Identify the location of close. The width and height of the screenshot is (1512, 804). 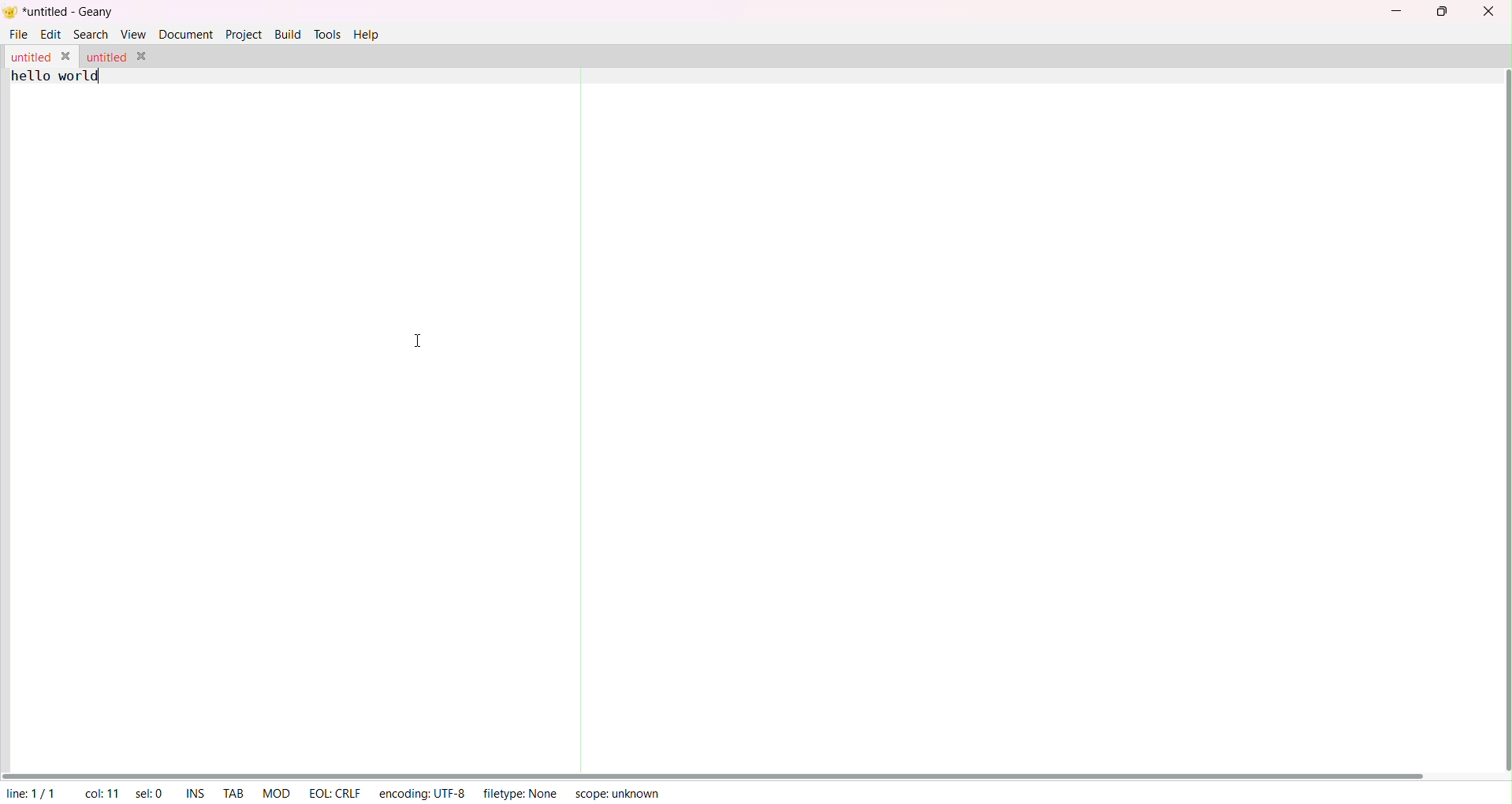
(1488, 11).